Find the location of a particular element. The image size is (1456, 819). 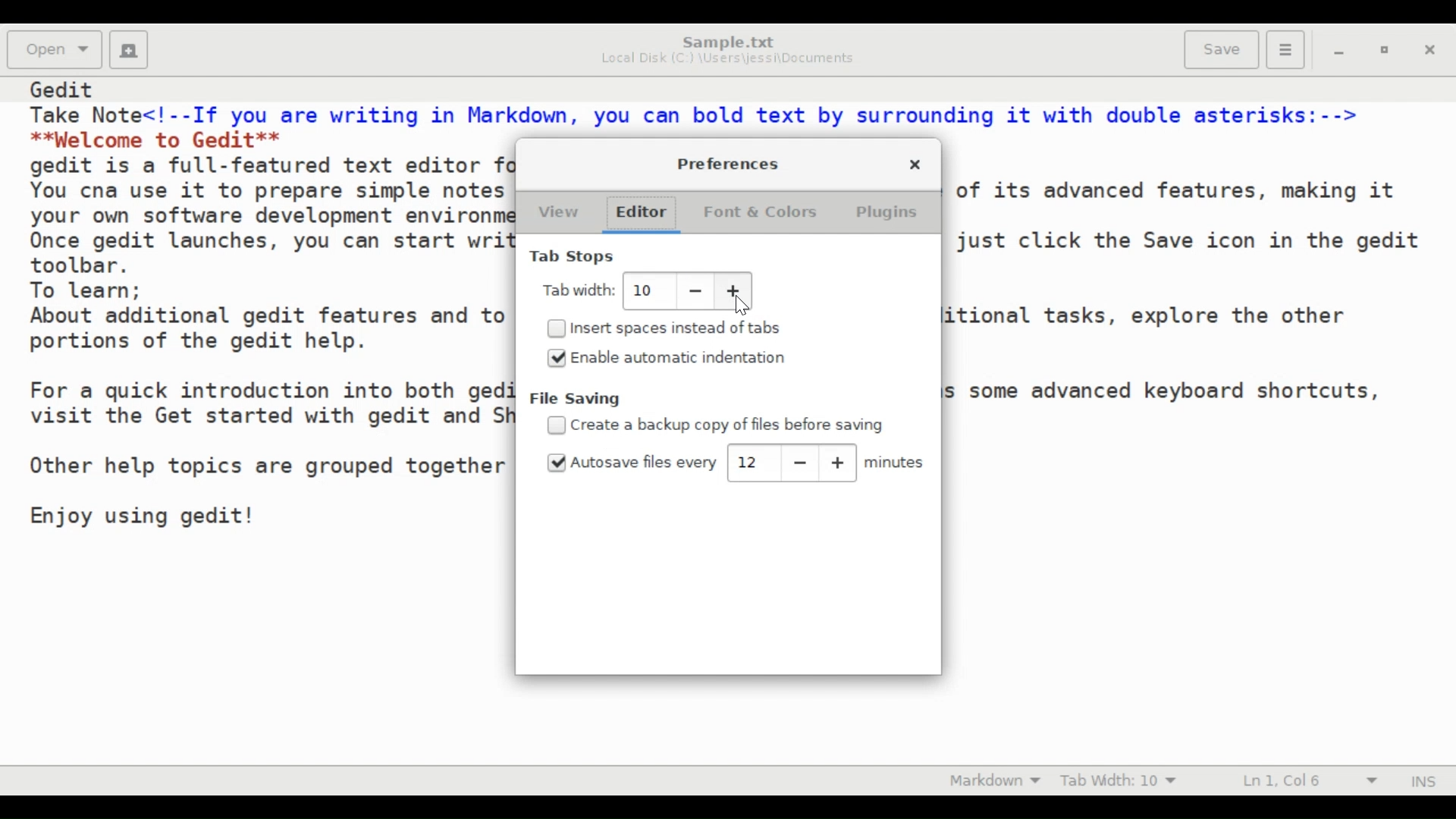

increase is located at coordinates (838, 462).